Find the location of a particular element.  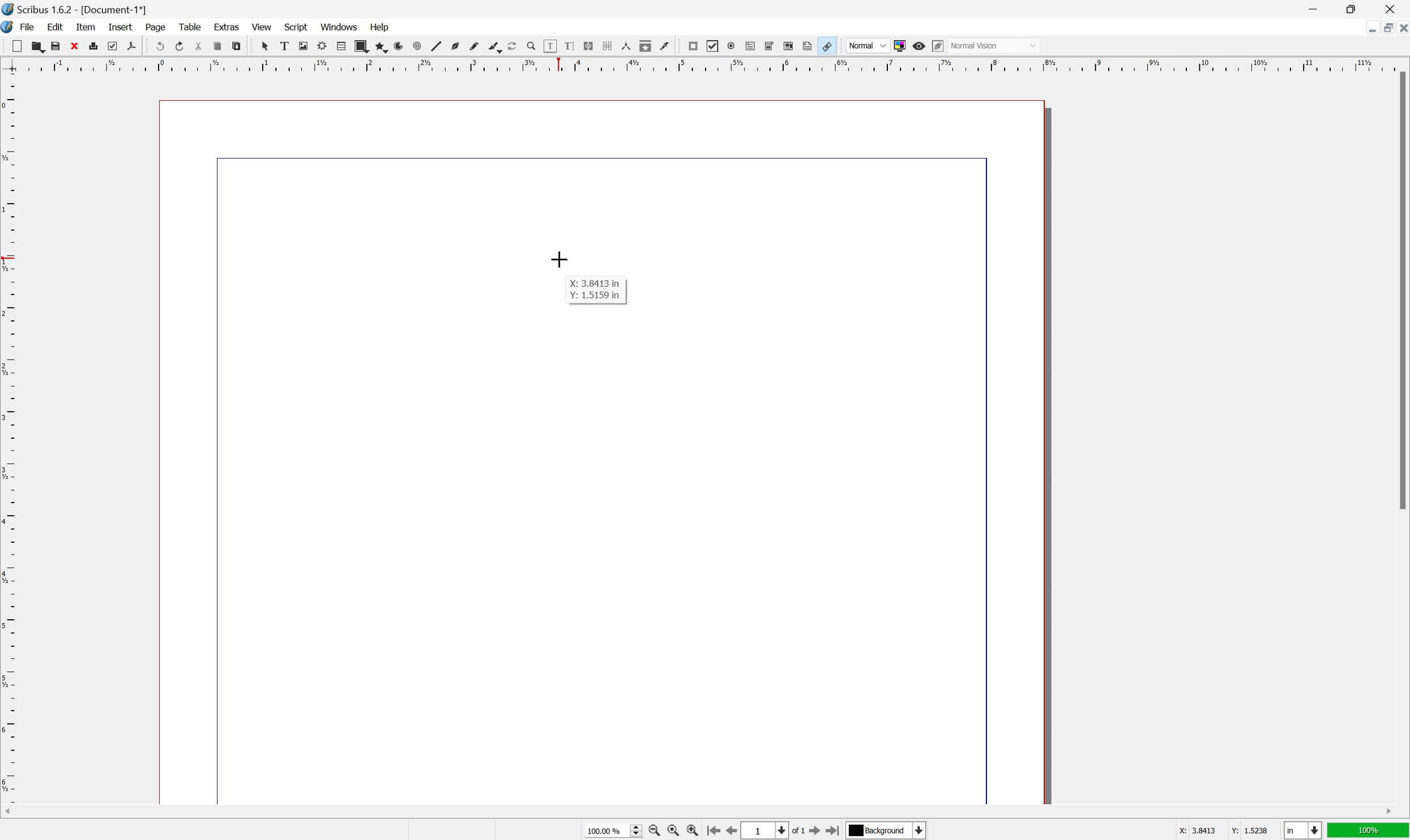

close is located at coordinates (1391, 9).